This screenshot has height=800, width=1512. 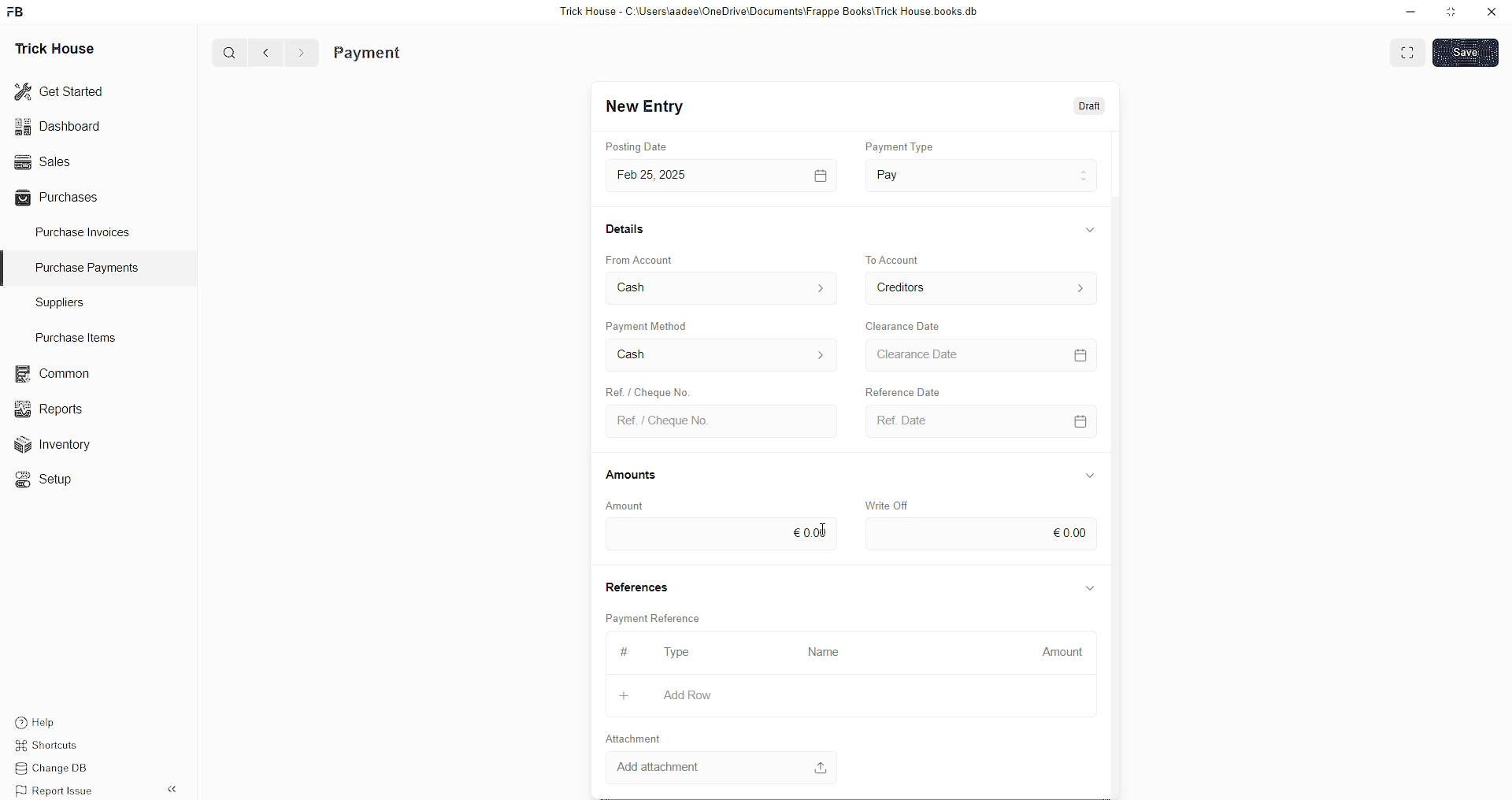 I want to click on > Clearance Date, so click(x=926, y=354).